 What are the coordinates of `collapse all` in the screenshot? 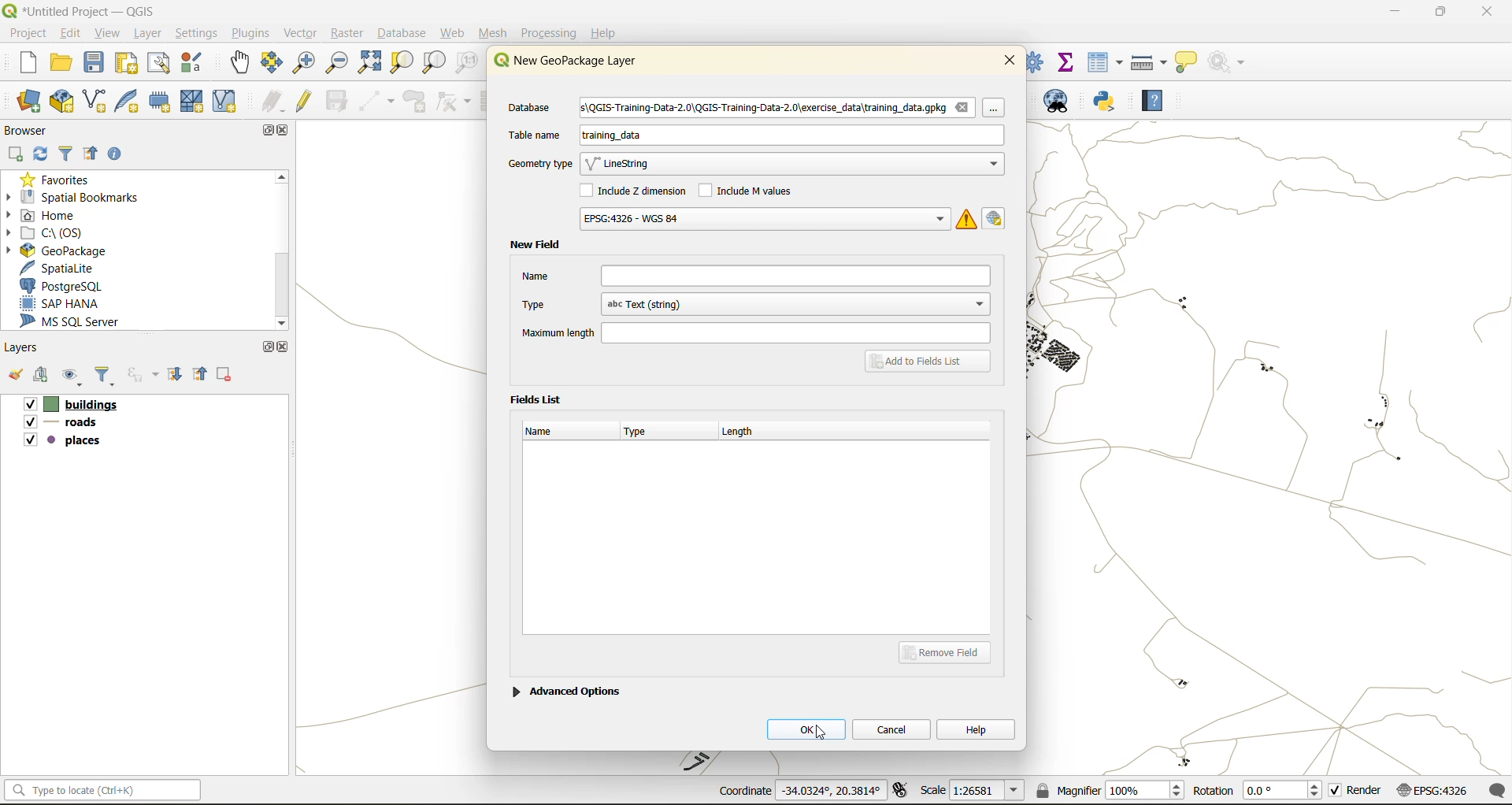 It's located at (202, 373).